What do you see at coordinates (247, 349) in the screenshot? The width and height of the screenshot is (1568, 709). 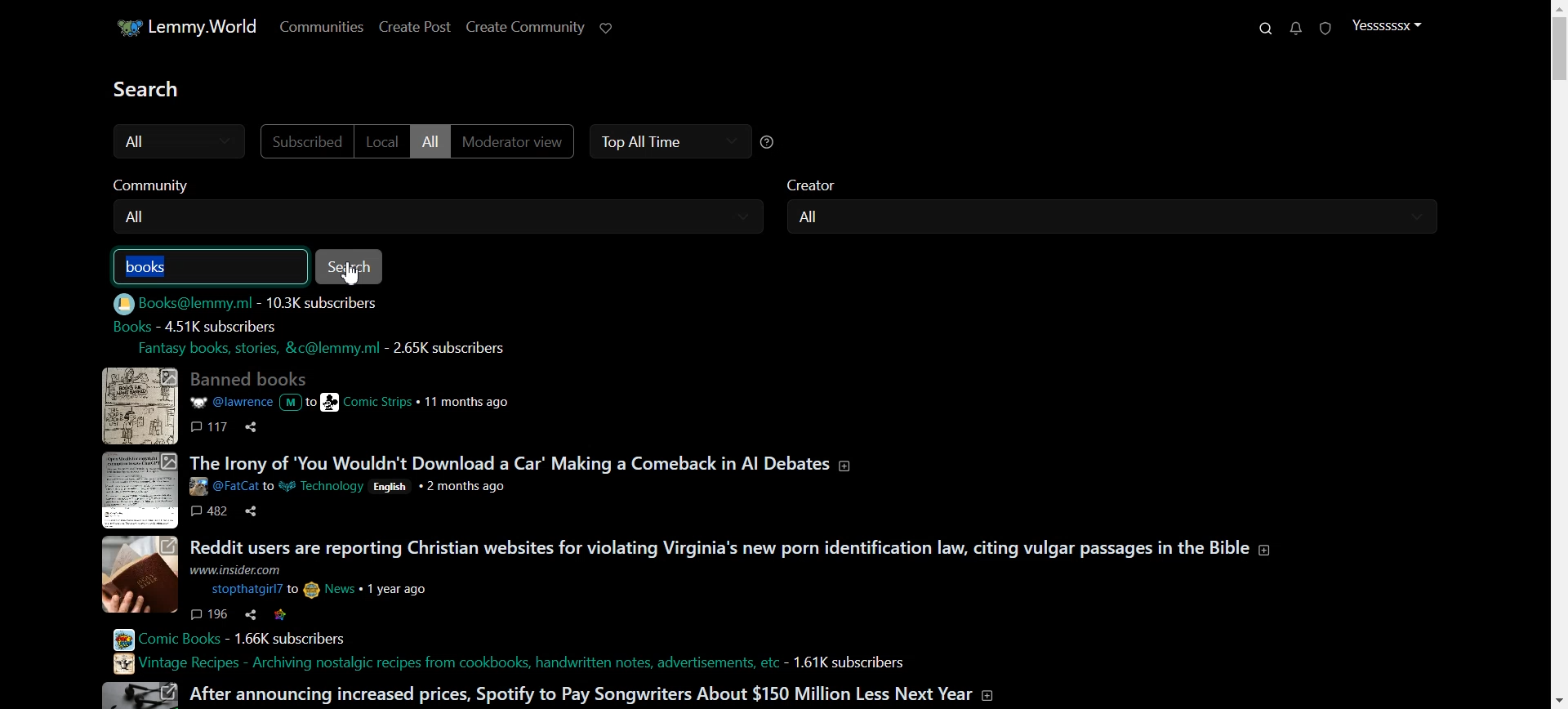 I see `link` at bounding box center [247, 349].